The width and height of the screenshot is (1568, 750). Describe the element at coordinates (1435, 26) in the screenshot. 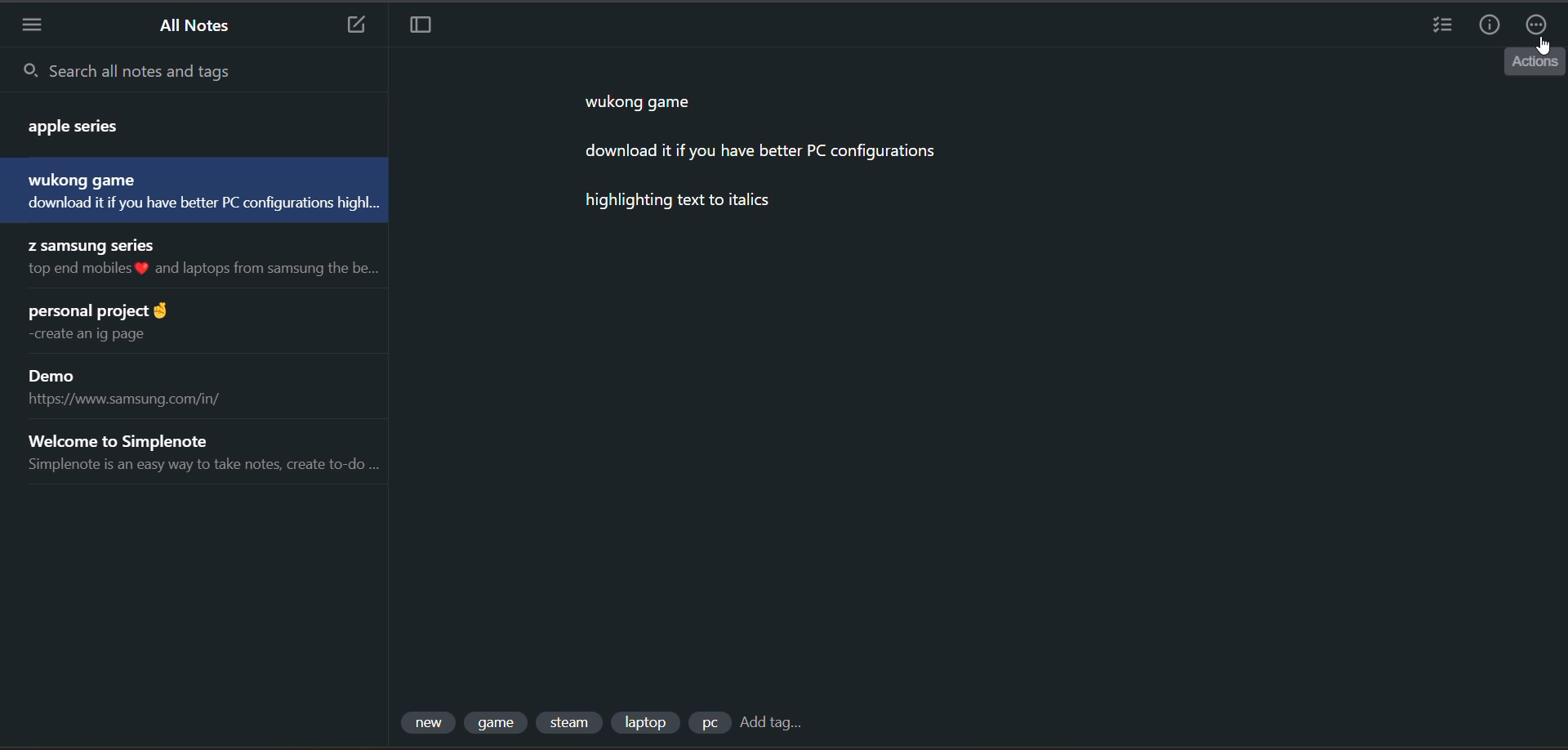

I see `insert checklist` at that location.